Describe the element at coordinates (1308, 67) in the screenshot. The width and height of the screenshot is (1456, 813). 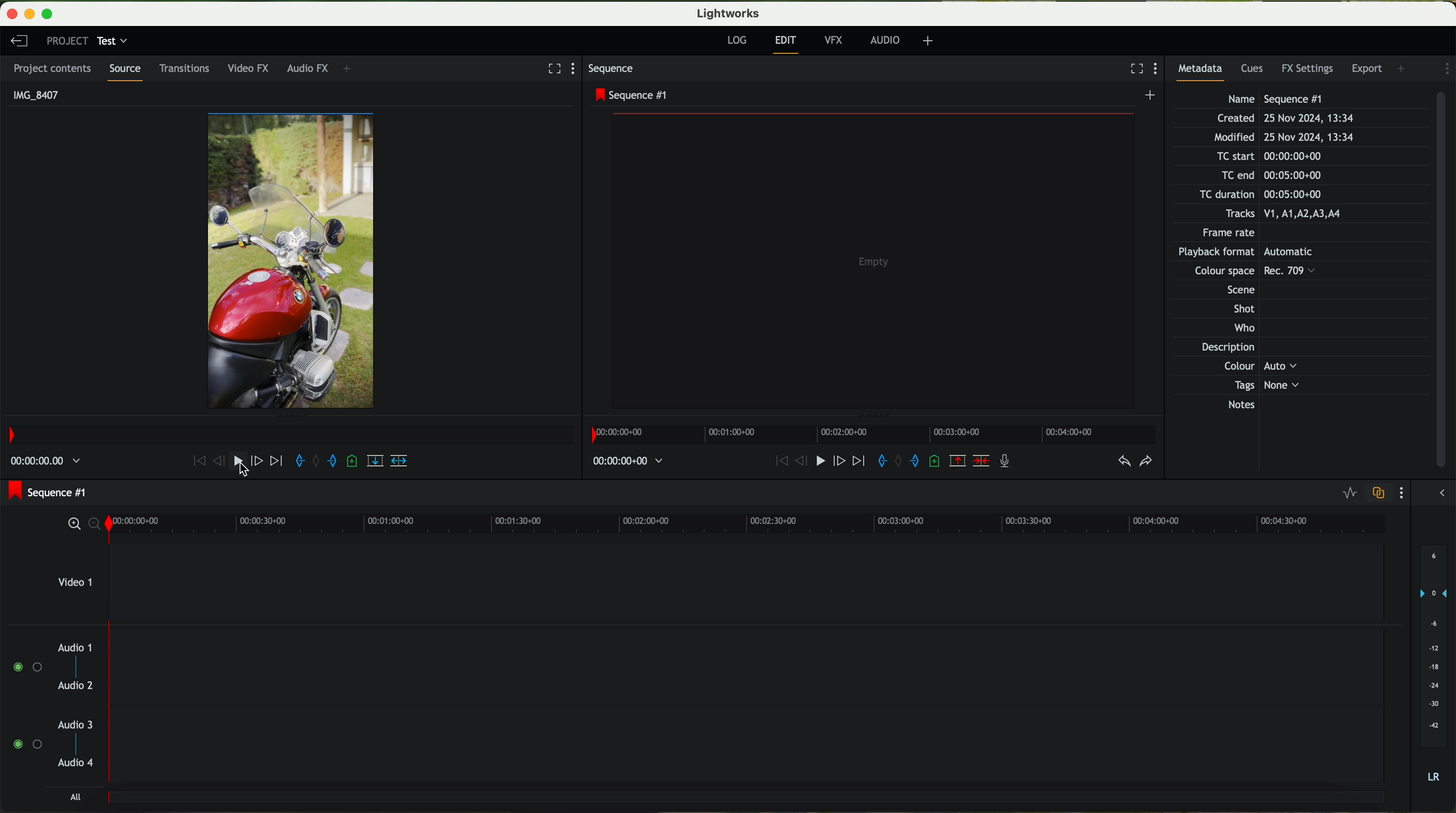
I see `FX settings` at that location.